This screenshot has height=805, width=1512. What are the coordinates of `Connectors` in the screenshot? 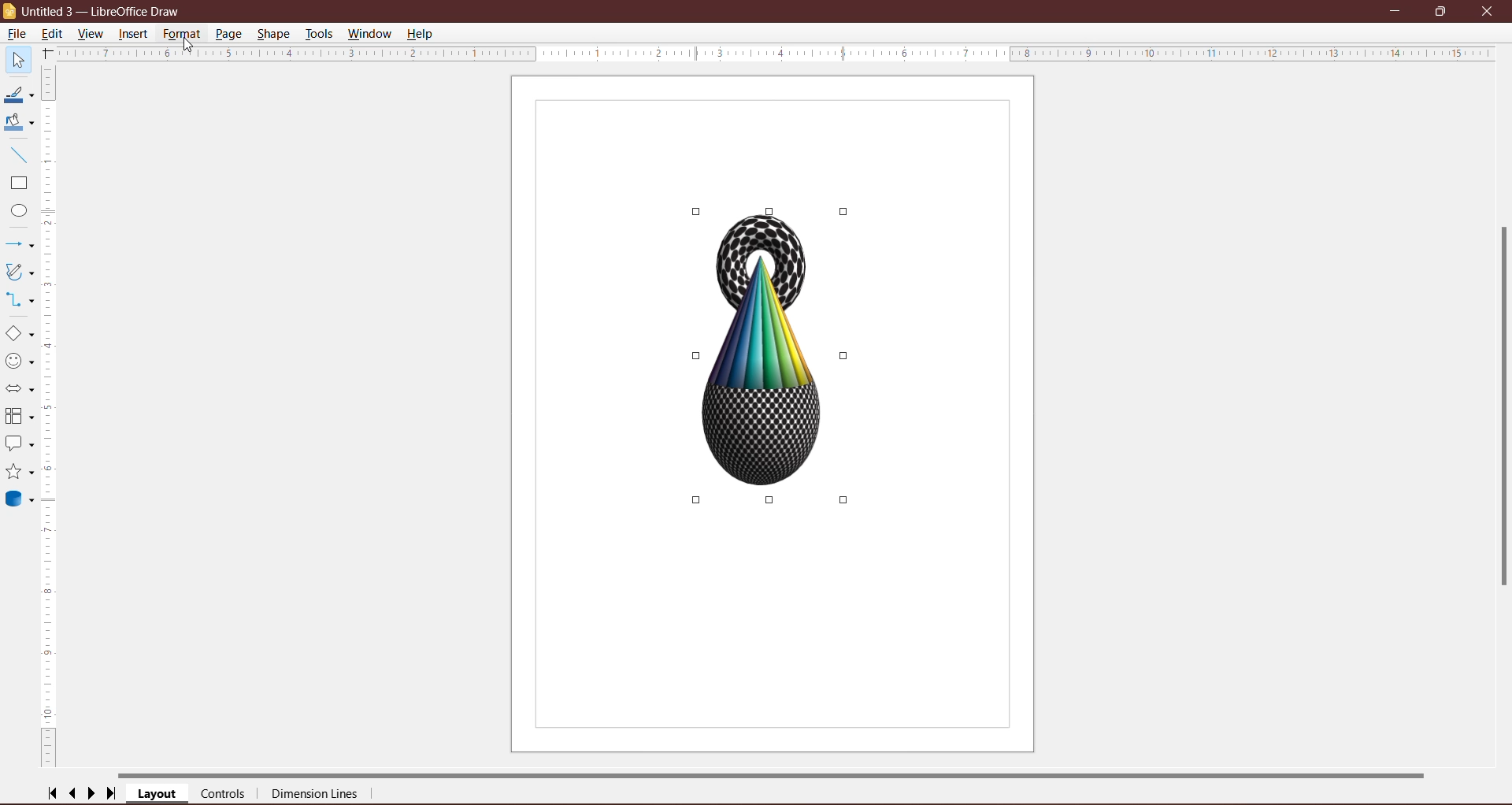 It's located at (20, 299).